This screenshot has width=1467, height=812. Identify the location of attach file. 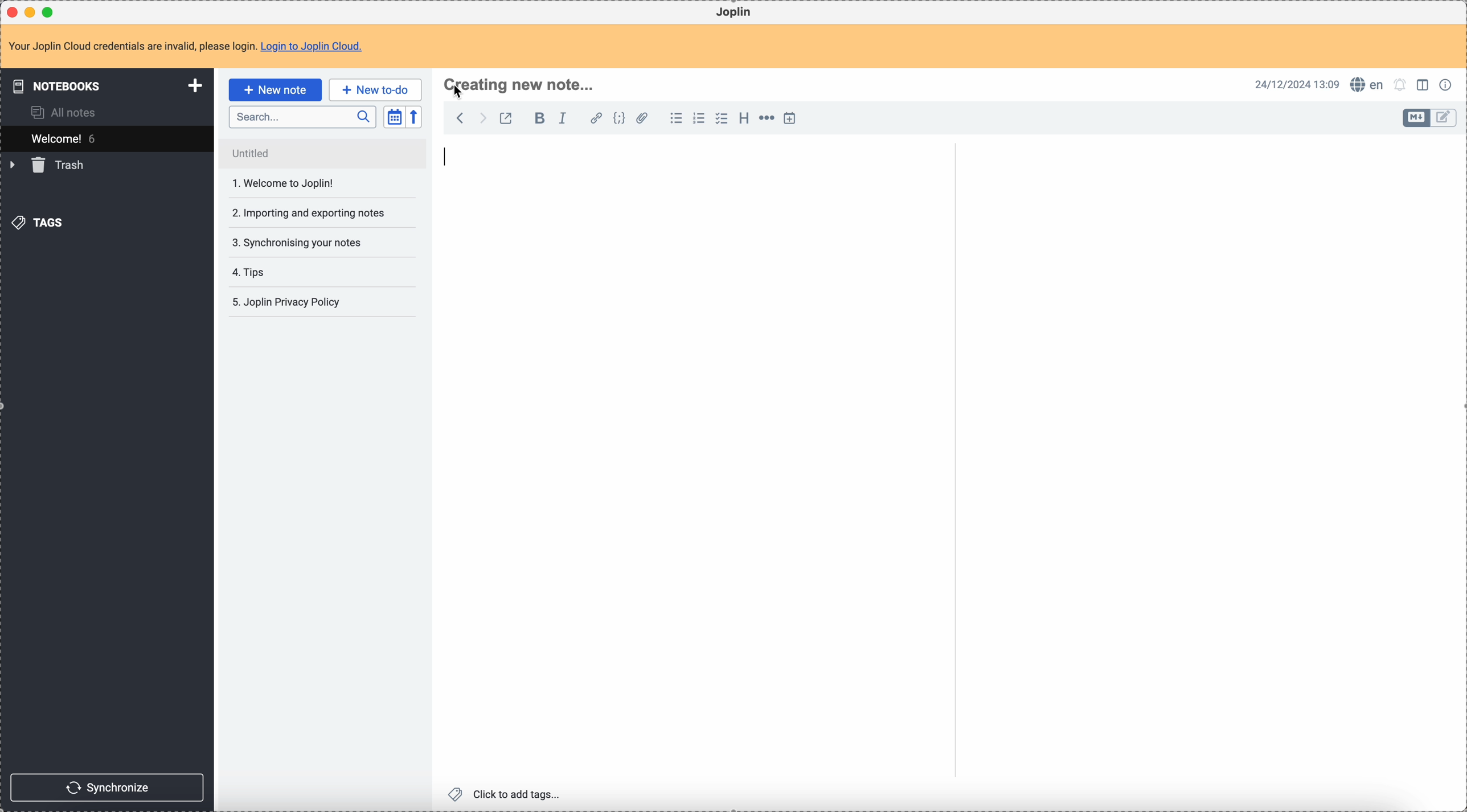
(640, 119).